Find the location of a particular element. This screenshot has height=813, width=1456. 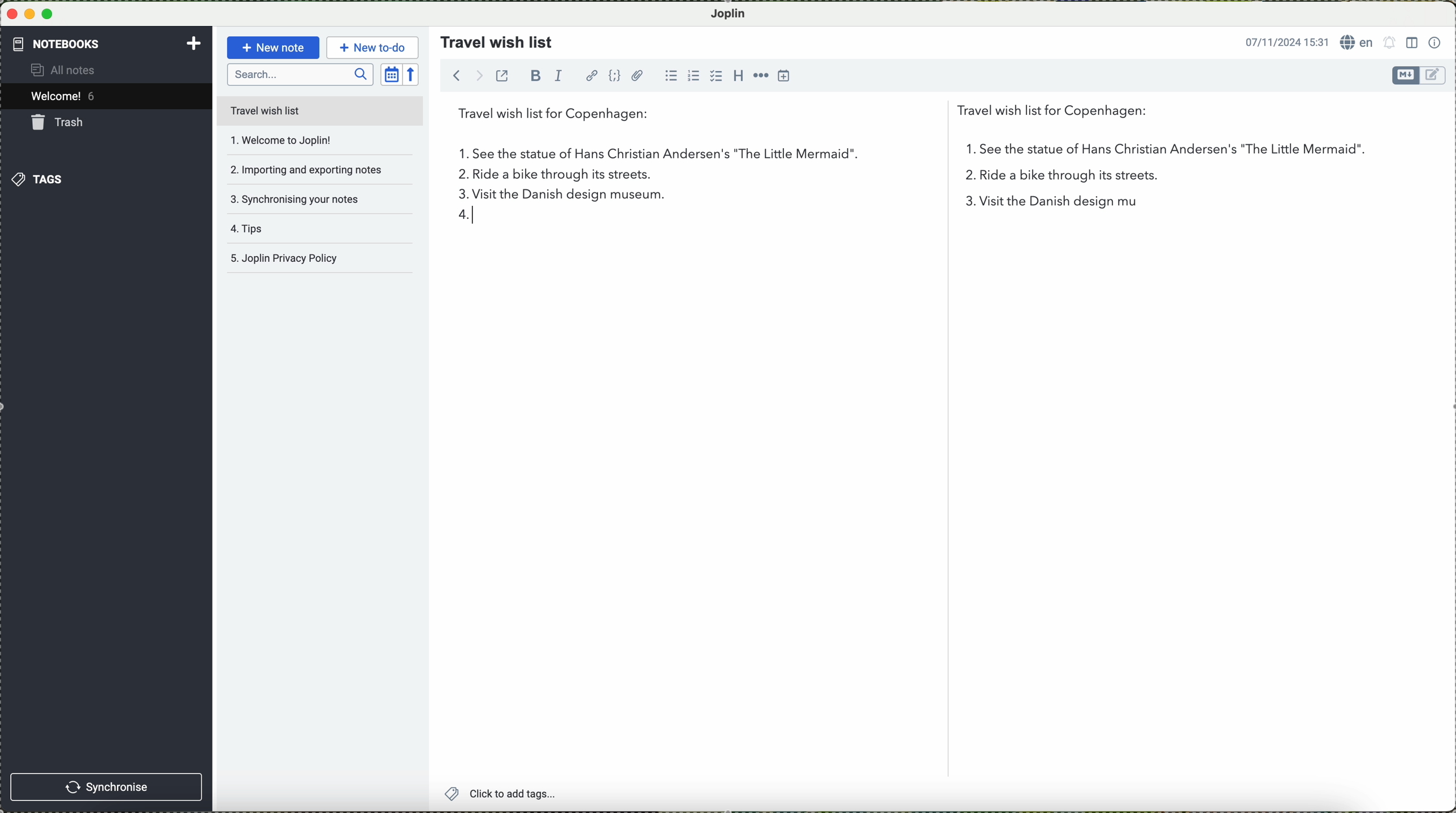

toggle sort order field is located at coordinates (391, 73).